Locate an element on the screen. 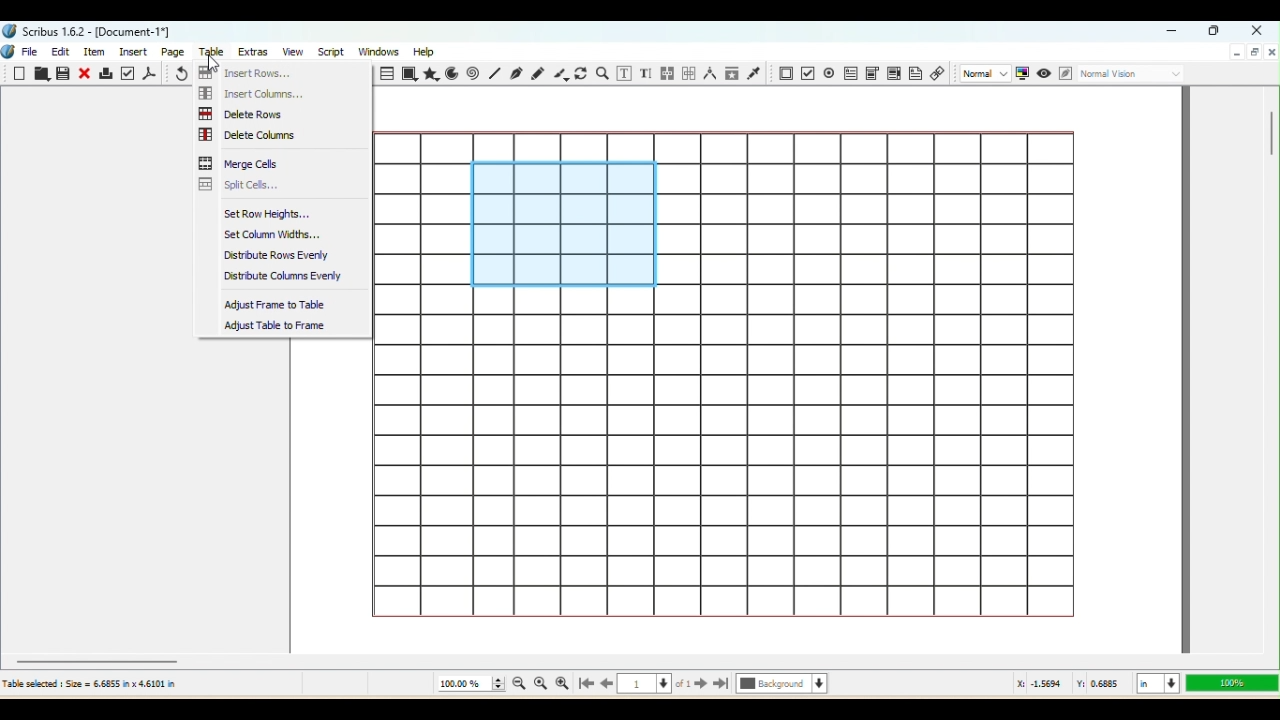 The image size is (1280, 720). New is located at coordinates (21, 74).